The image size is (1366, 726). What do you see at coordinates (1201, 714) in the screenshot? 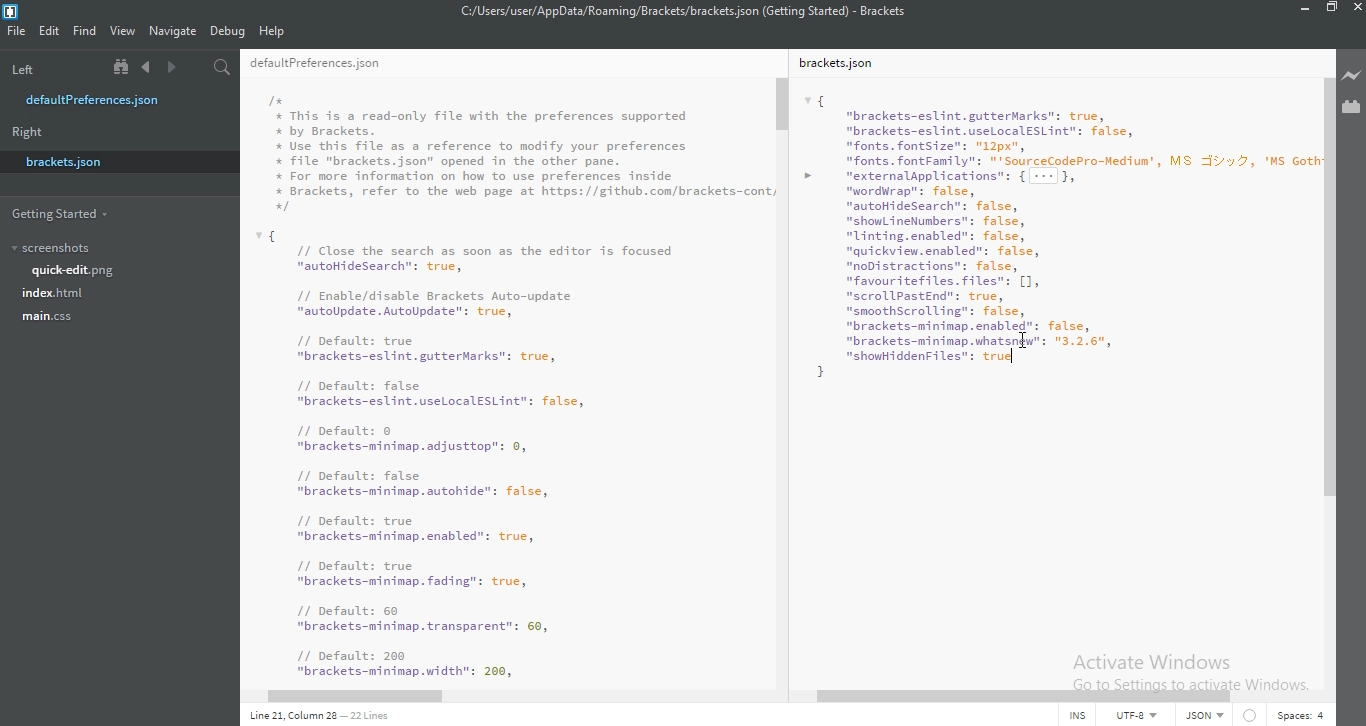
I see `JSON` at bounding box center [1201, 714].